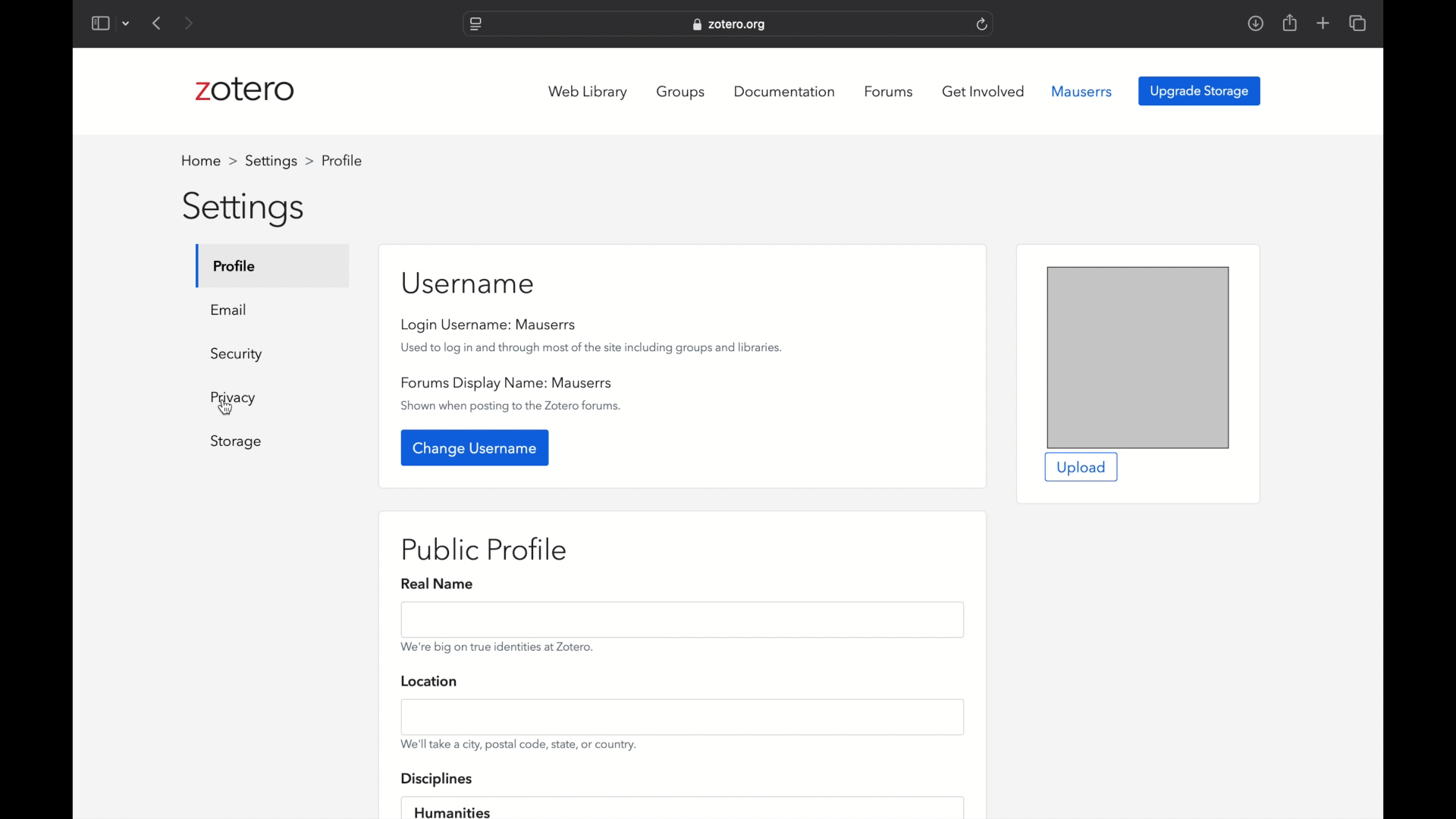 Image resolution: width=1456 pixels, height=819 pixels. Describe the element at coordinates (99, 23) in the screenshot. I see `show sidebar` at that location.